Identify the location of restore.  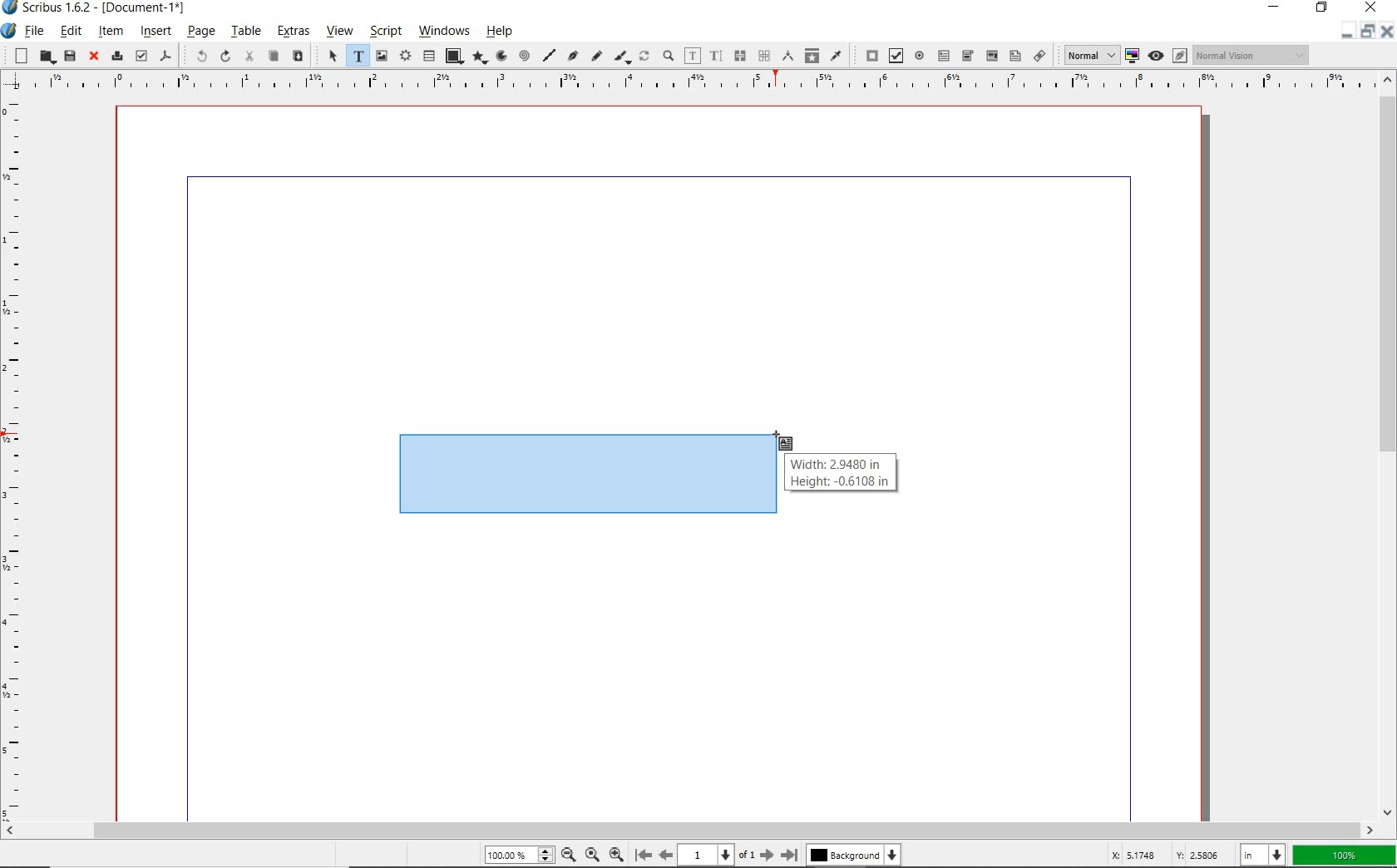
(1324, 9).